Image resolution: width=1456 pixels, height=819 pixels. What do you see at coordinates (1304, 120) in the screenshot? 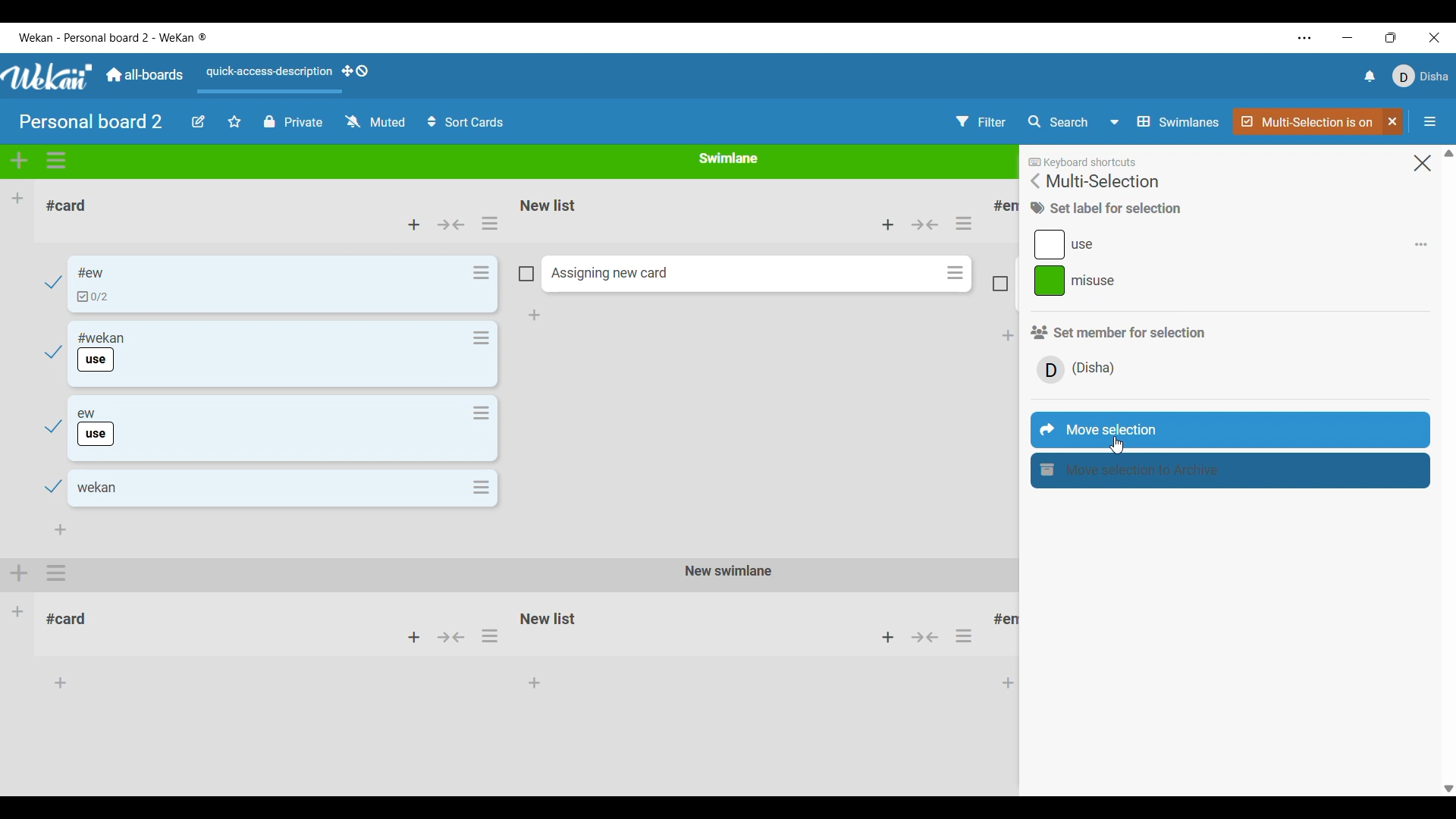
I see `Indicates multi-selection if active` at bounding box center [1304, 120].